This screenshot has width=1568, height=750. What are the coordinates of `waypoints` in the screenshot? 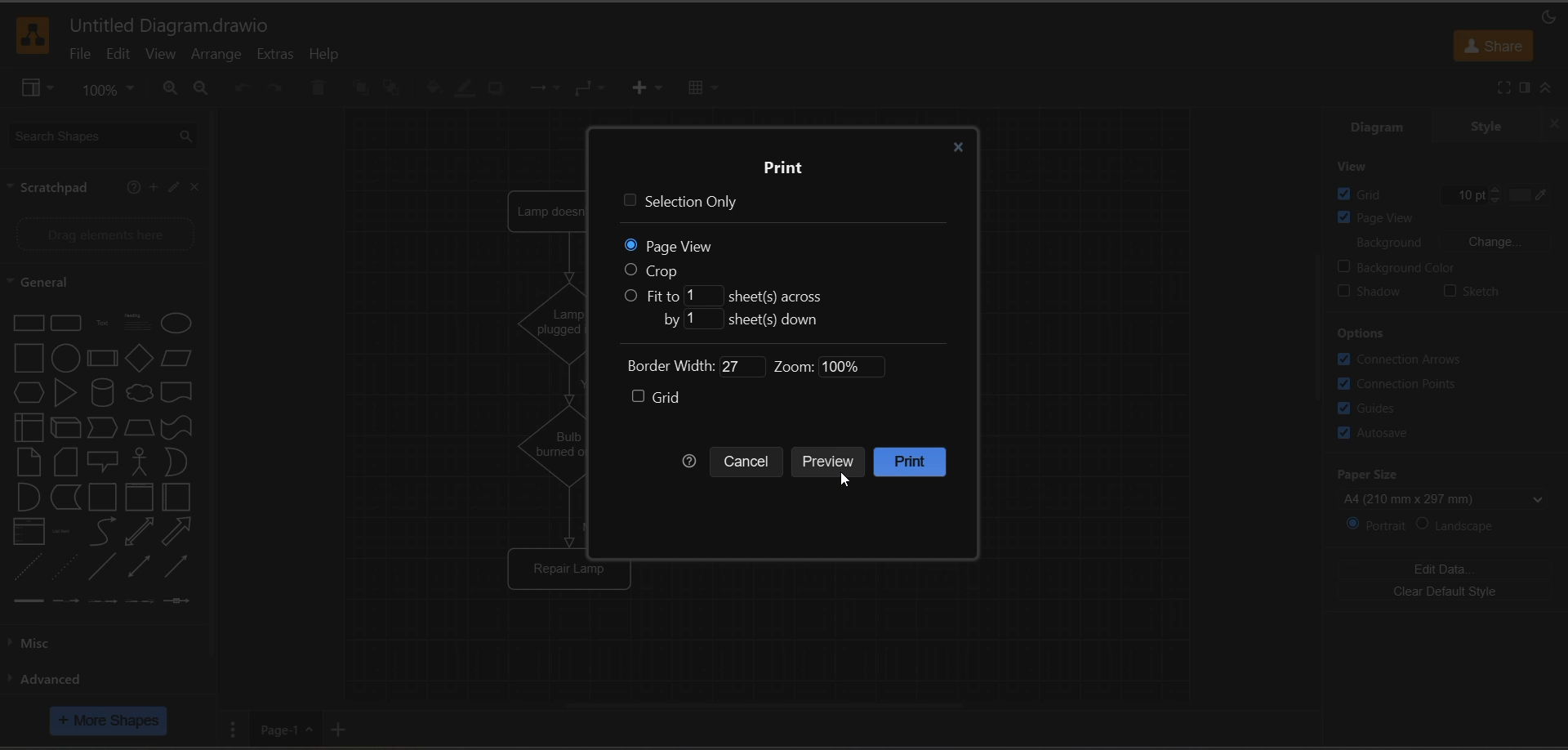 It's located at (592, 89).